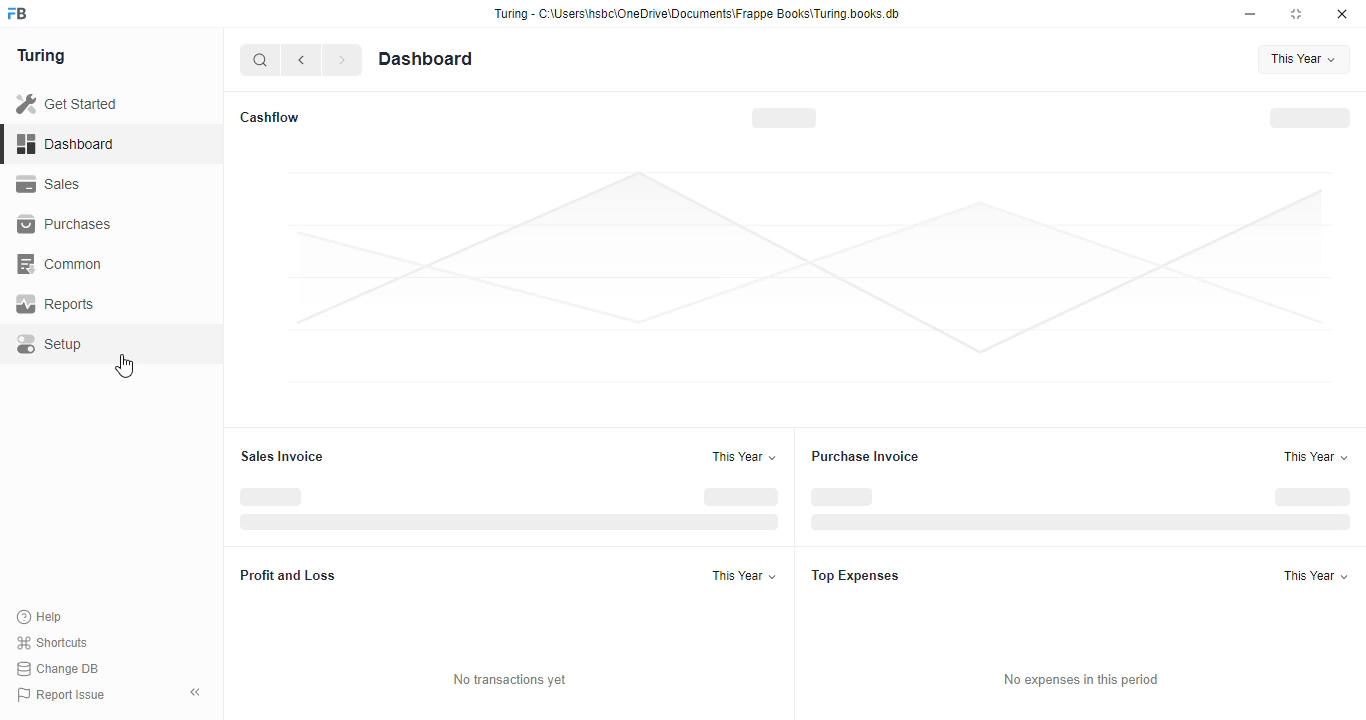 The height and width of the screenshot is (720, 1366). What do you see at coordinates (61, 695) in the screenshot?
I see `report issue` at bounding box center [61, 695].